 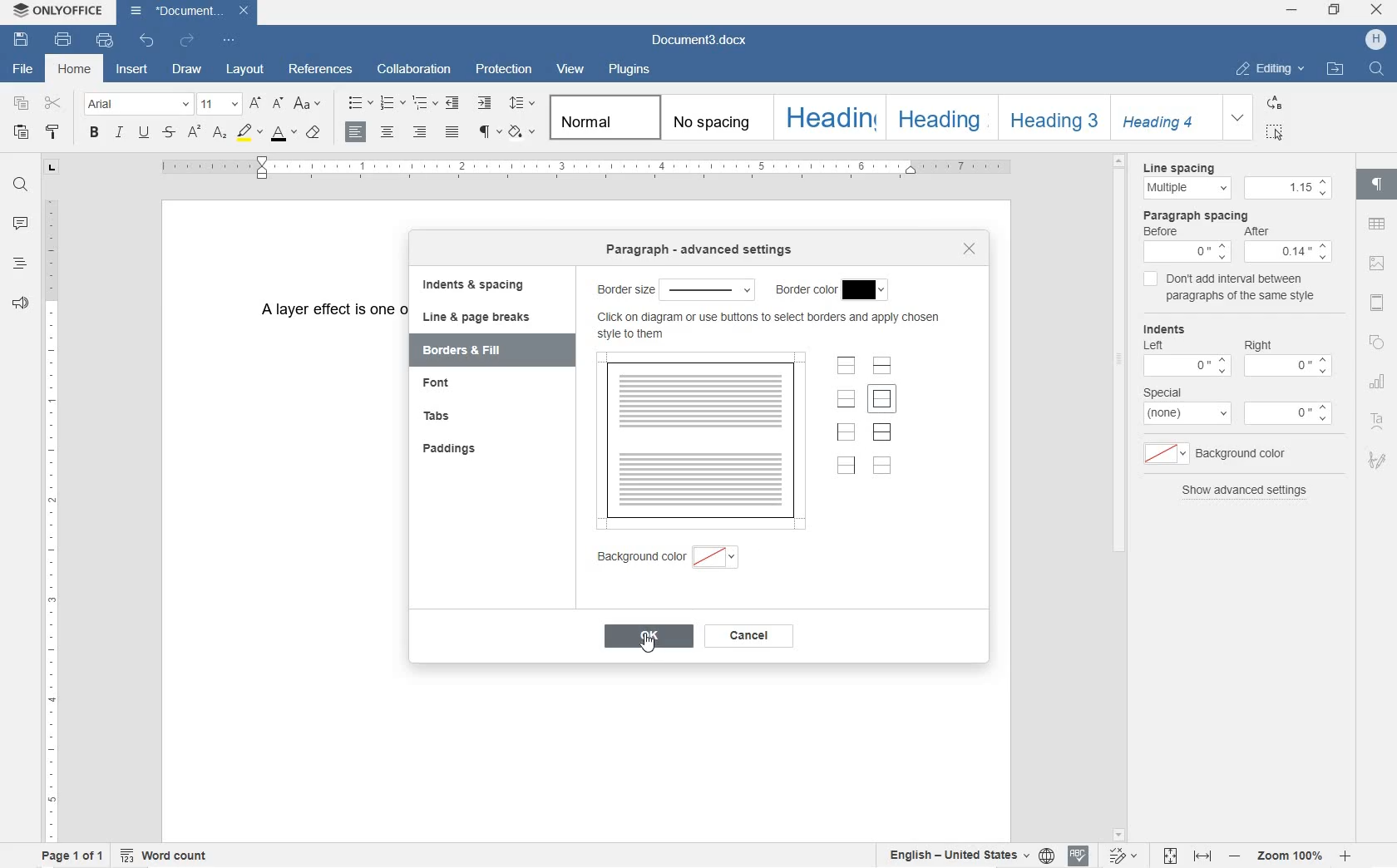 I want to click on FIT PAGE OR WIDTH, so click(x=1188, y=857).